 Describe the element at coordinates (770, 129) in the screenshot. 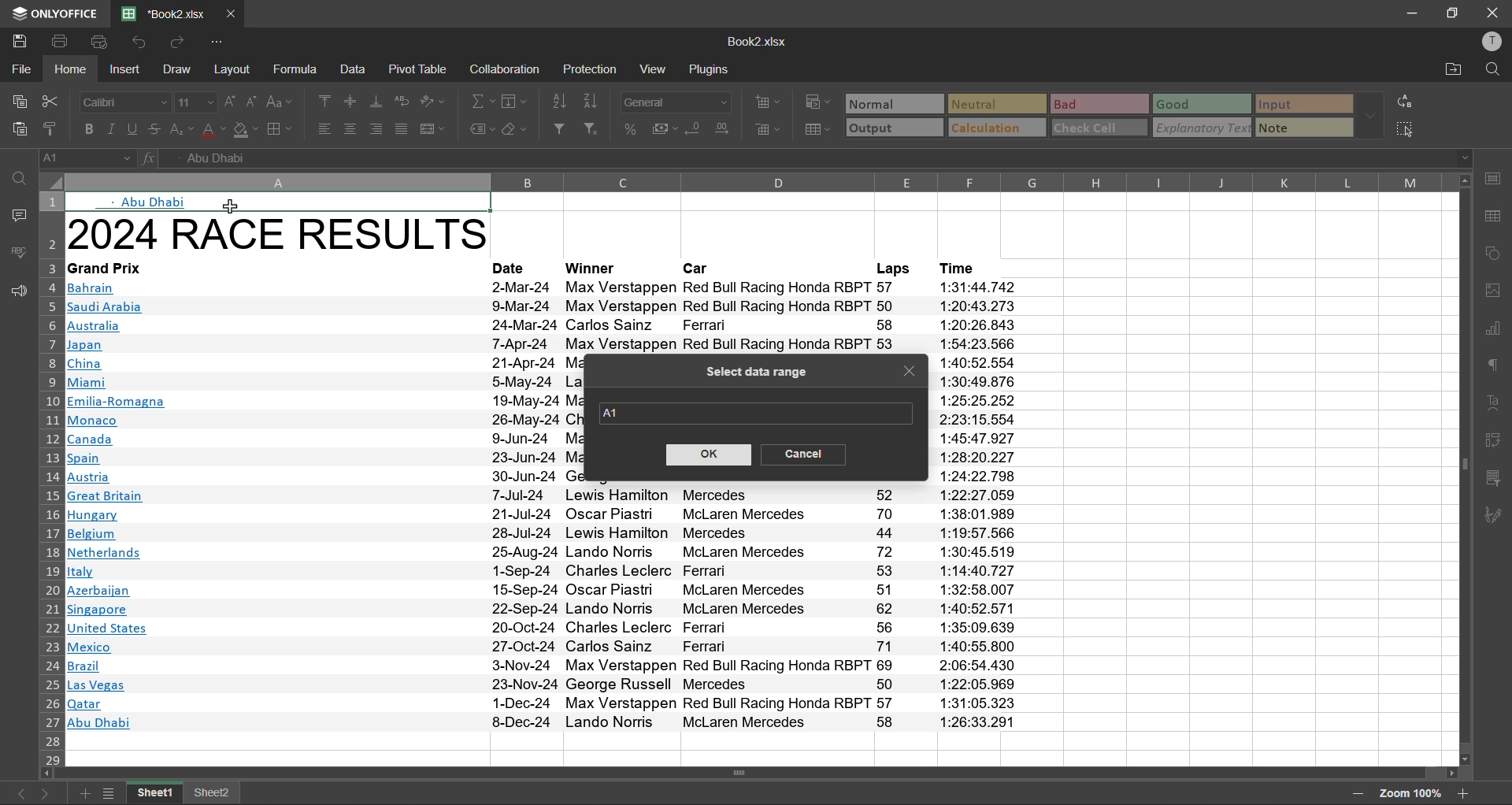

I see `delete cells` at that location.